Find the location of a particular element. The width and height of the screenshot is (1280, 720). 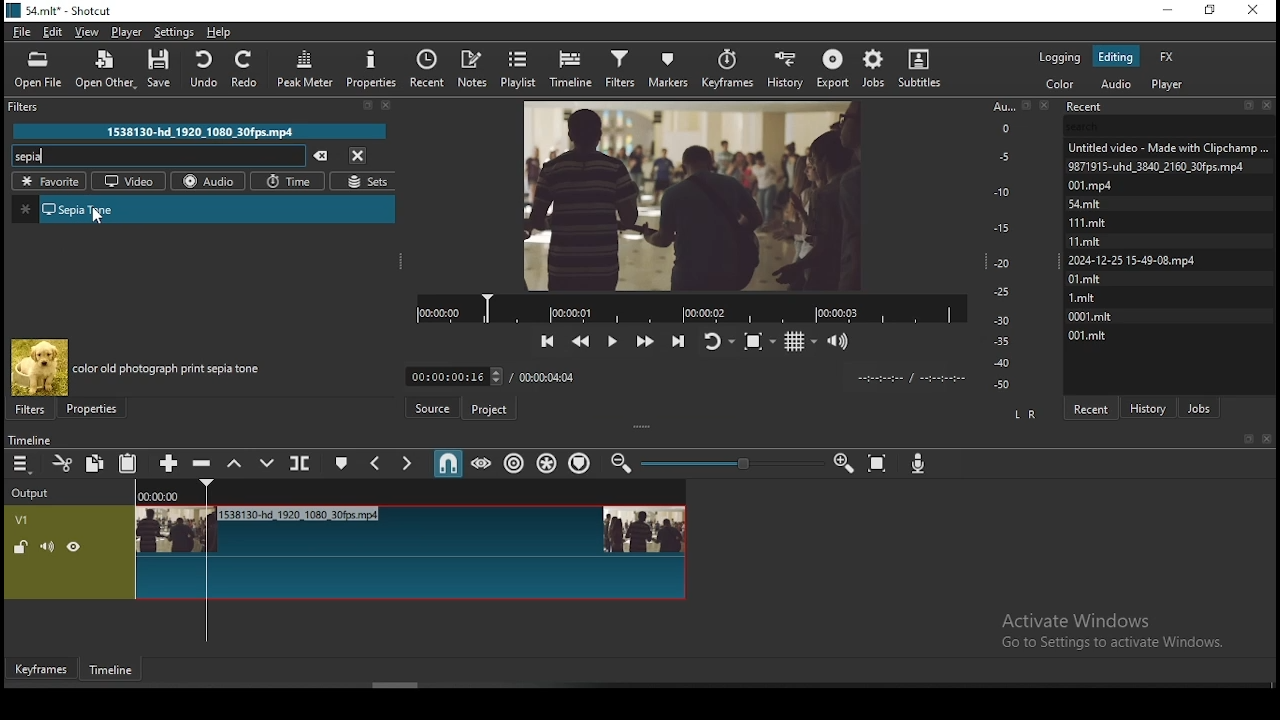

lift is located at coordinates (237, 464).